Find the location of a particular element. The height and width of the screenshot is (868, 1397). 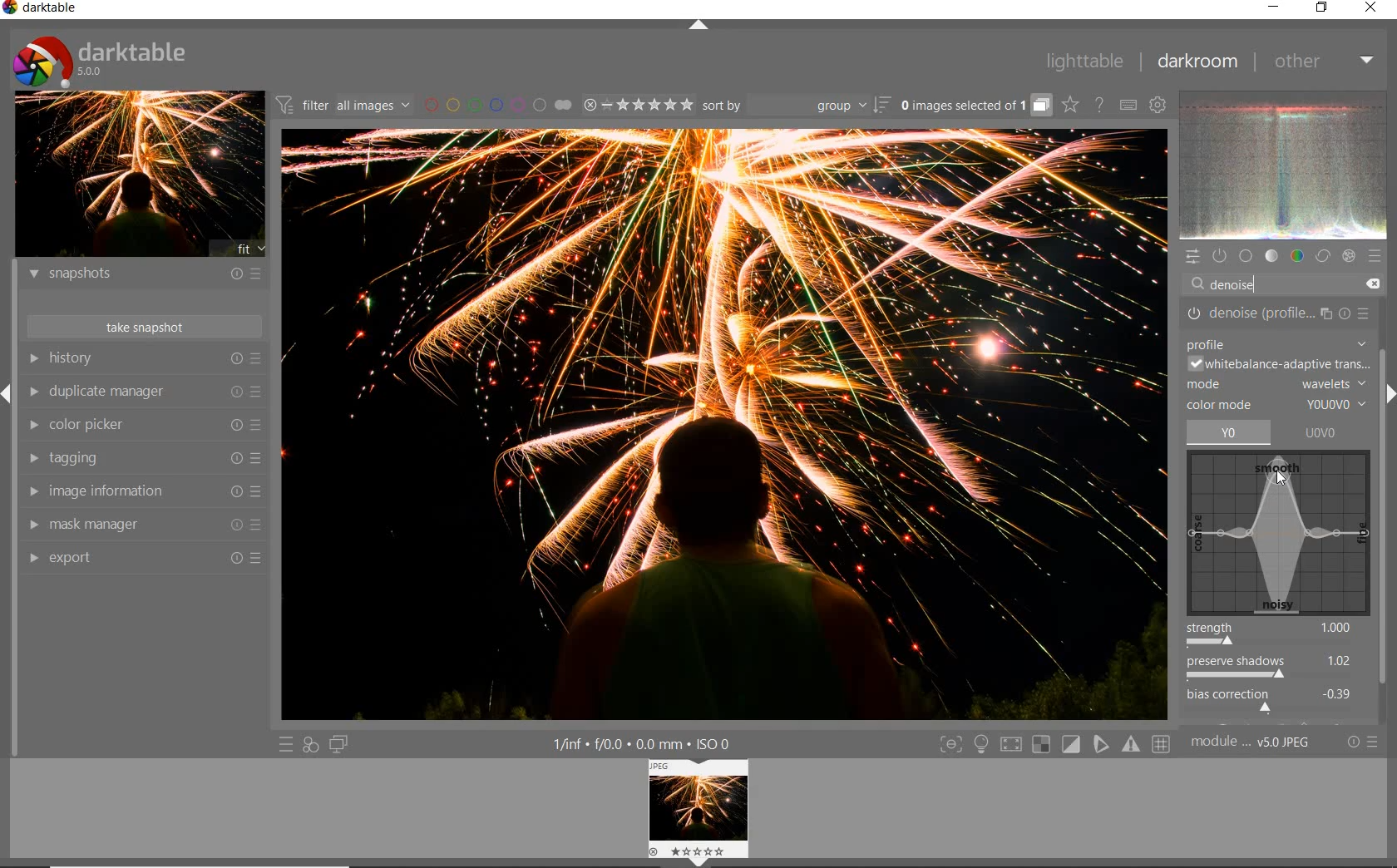

image information is located at coordinates (144, 491).